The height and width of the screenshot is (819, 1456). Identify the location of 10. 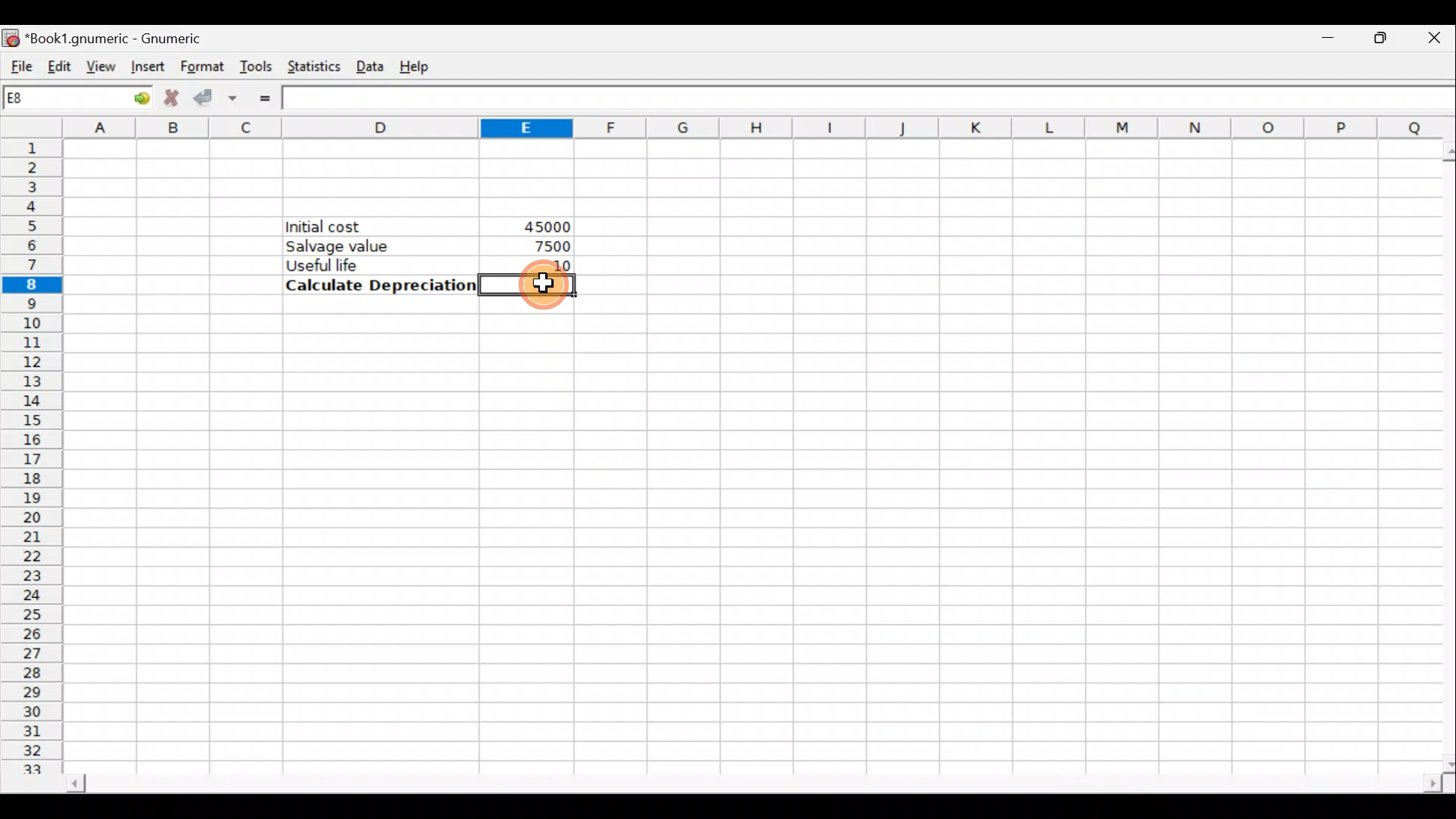
(557, 264).